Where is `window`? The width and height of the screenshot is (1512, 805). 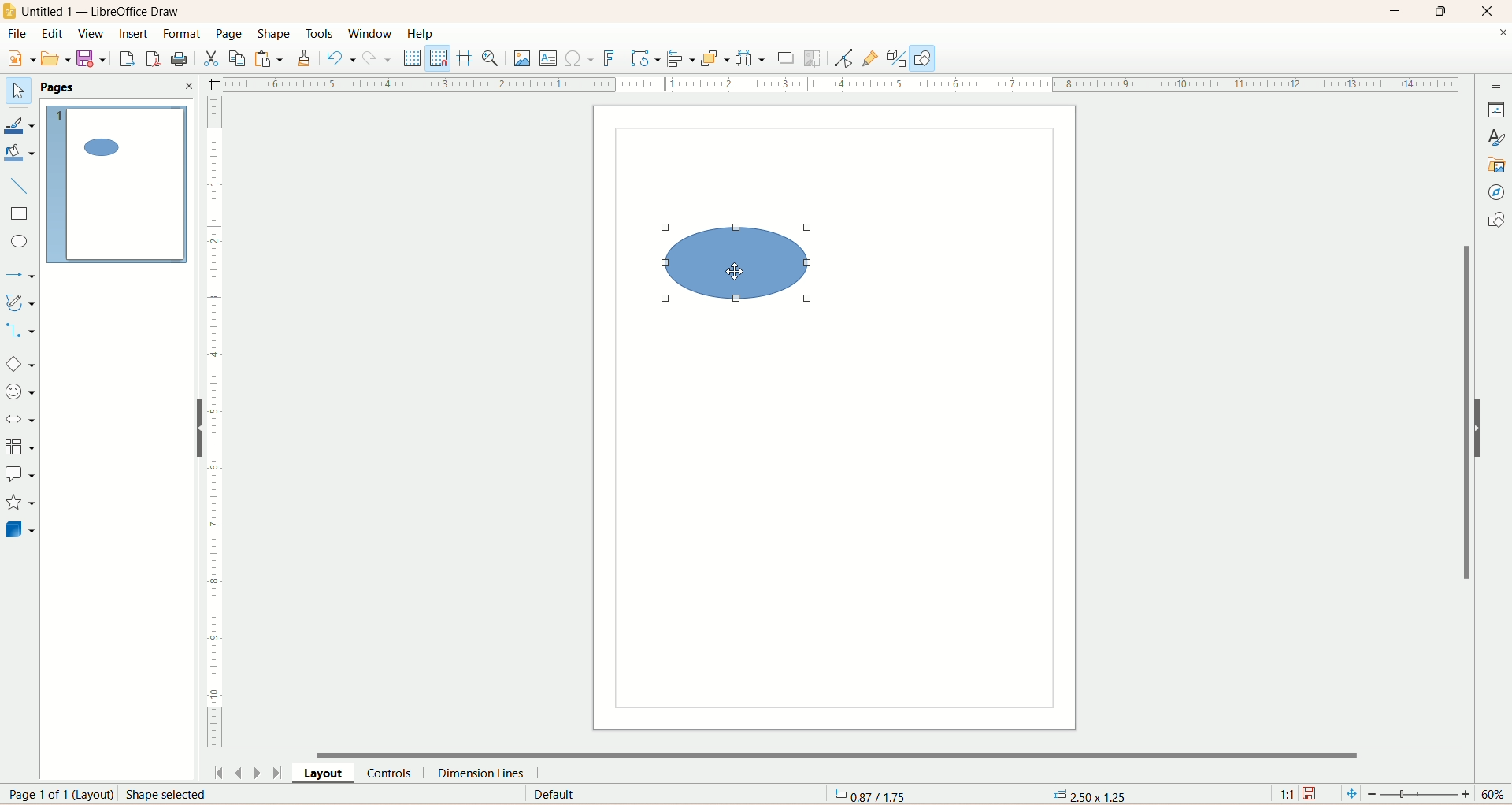 window is located at coordinates (371, 35).